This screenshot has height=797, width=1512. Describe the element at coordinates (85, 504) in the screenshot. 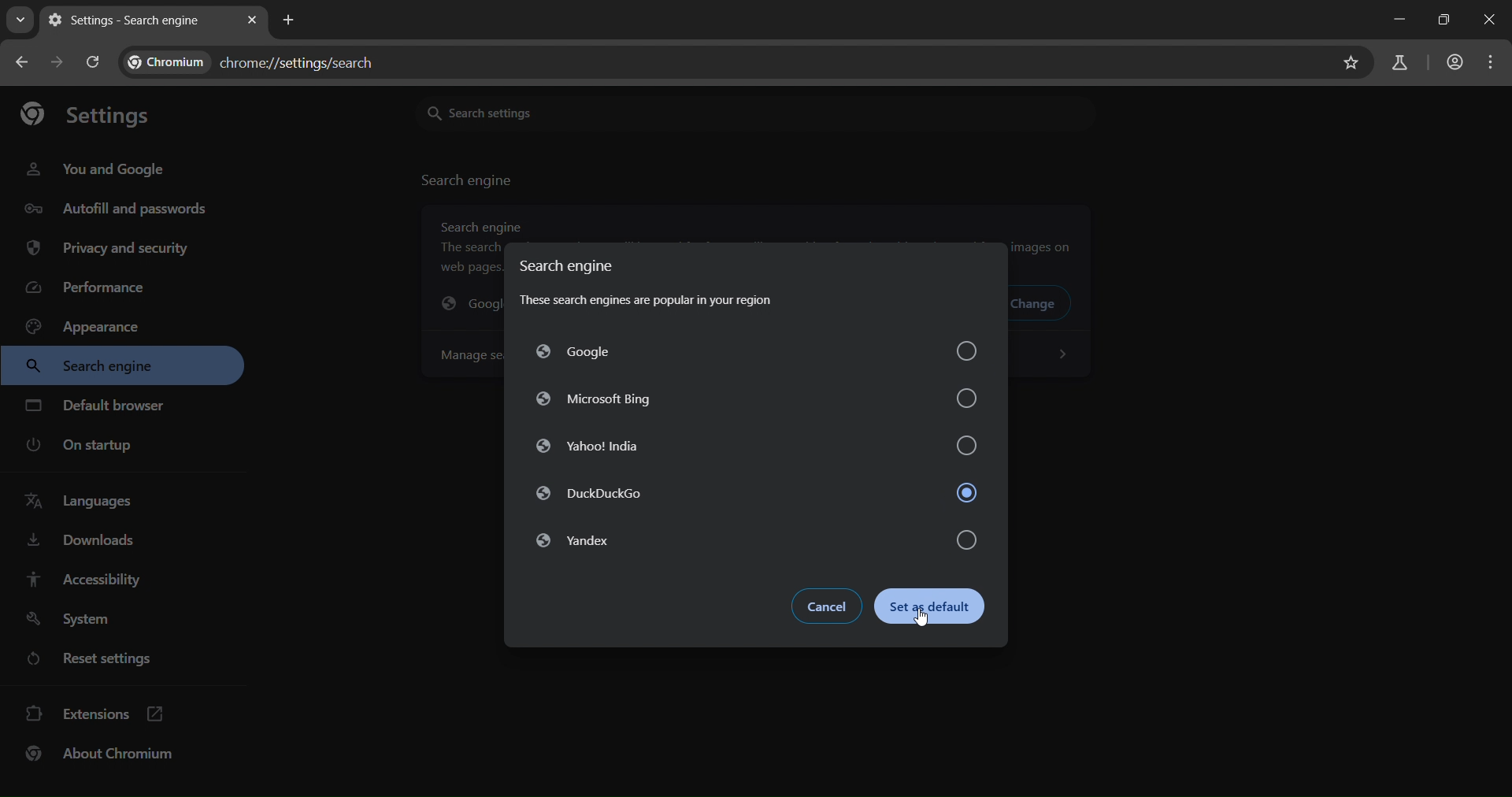

I see `languages` at that location.